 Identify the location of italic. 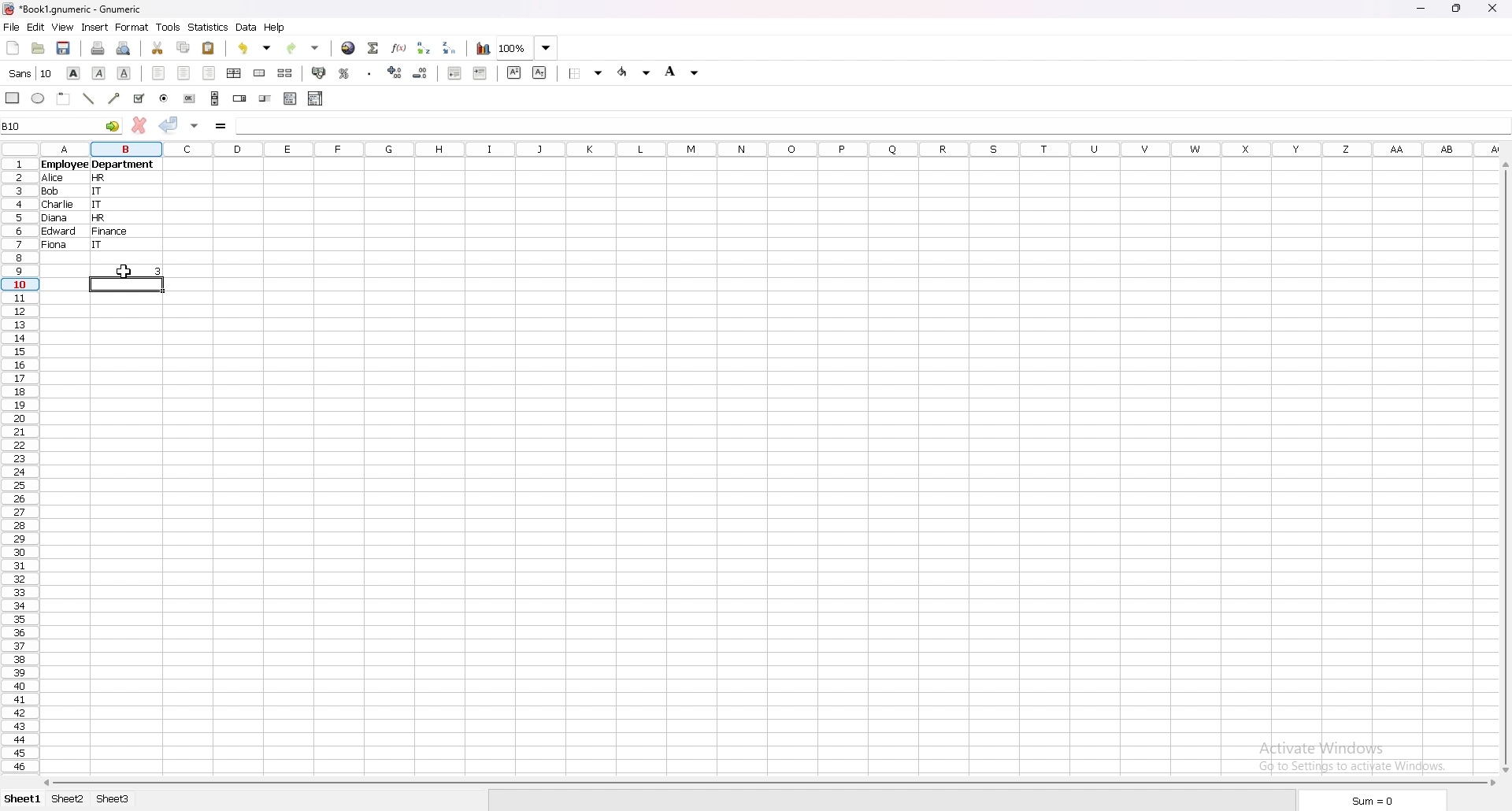
(99, 72).